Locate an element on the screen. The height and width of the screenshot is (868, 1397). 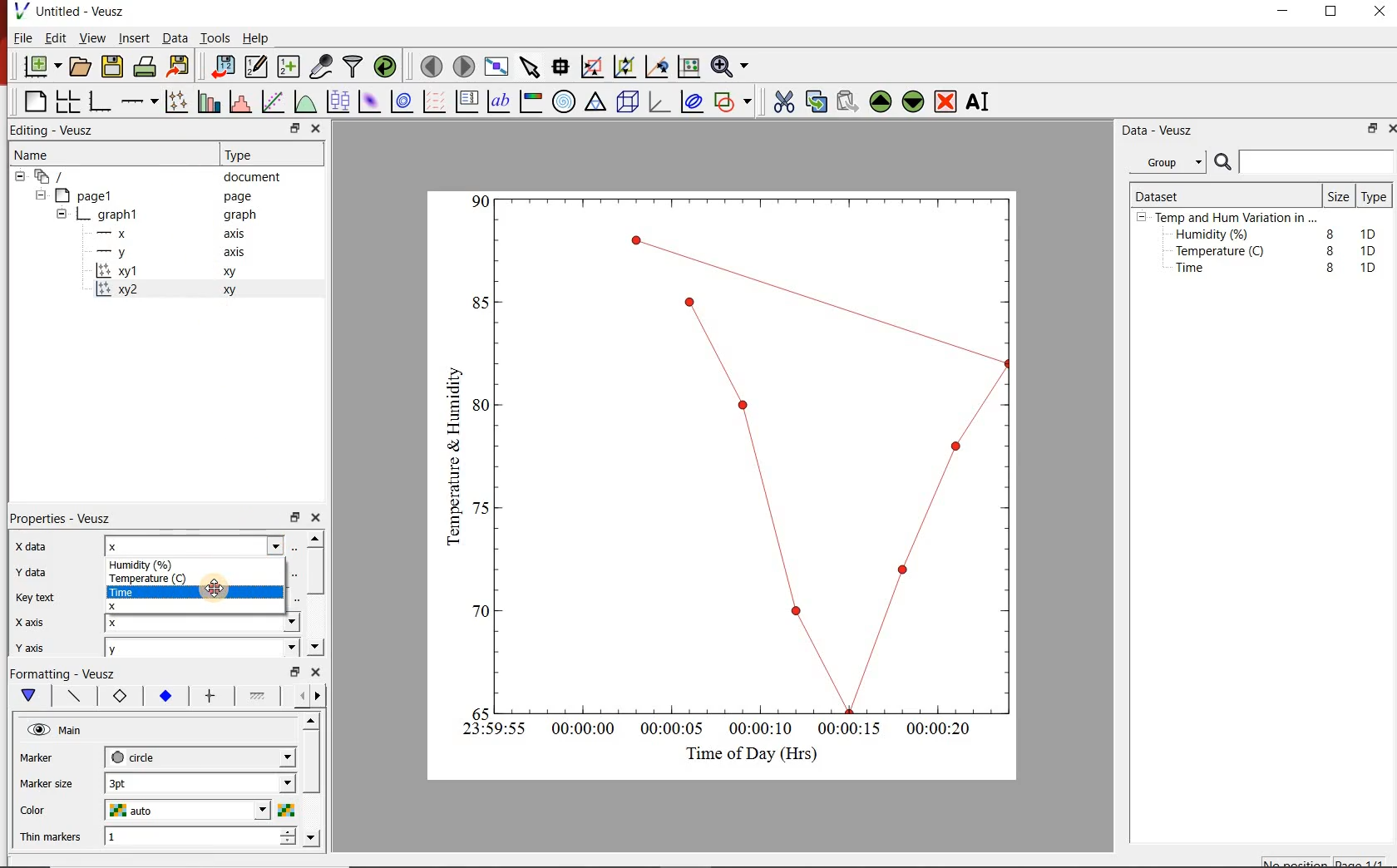
Time of Day (Hrs) is located at coordinates (745, 753).